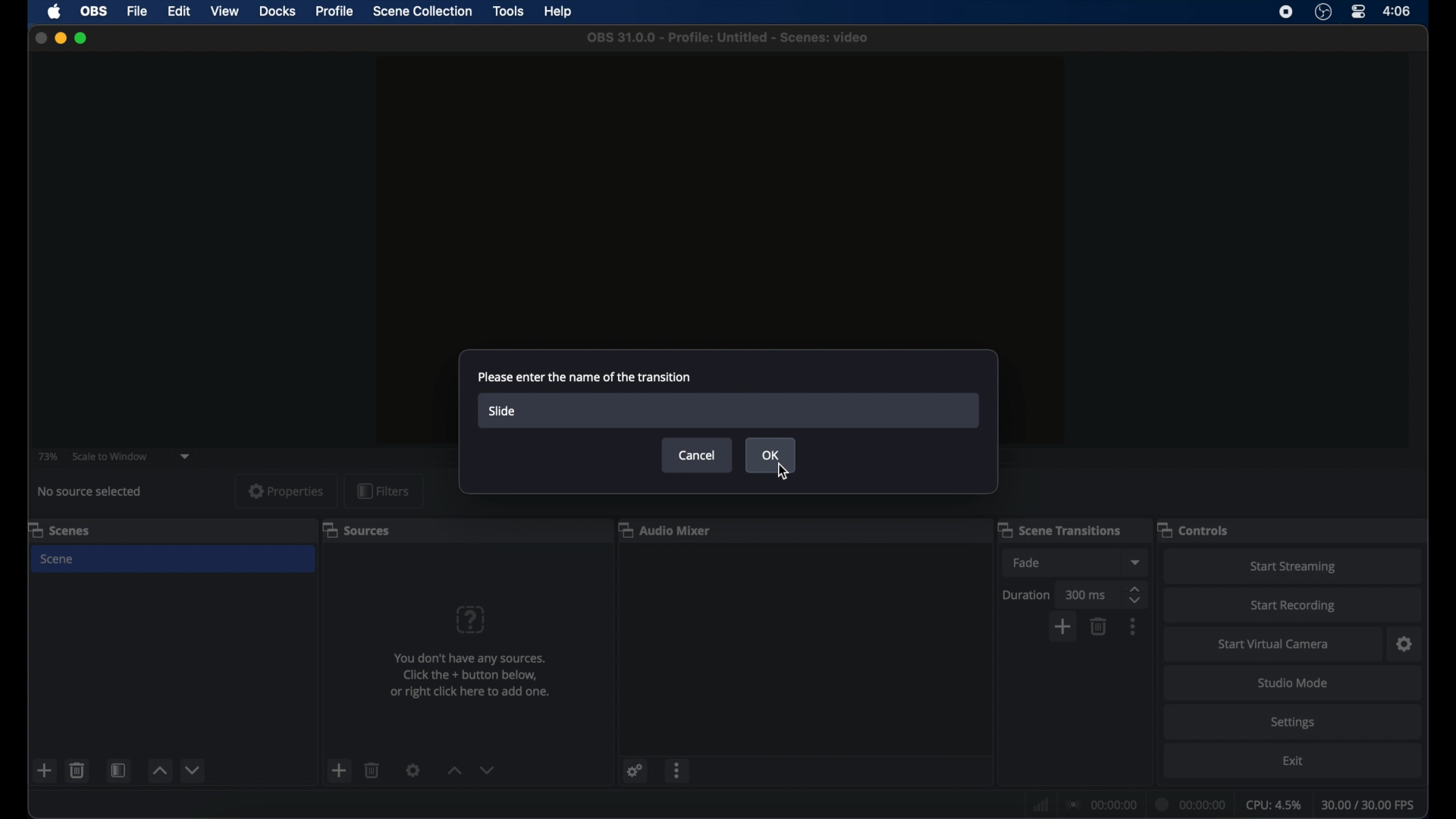 This screenshot has height=819, width=1456. What do you see at coordinates (1191, 804) in the screenshot?
I see `duration` at bounding box center [1191, 804].